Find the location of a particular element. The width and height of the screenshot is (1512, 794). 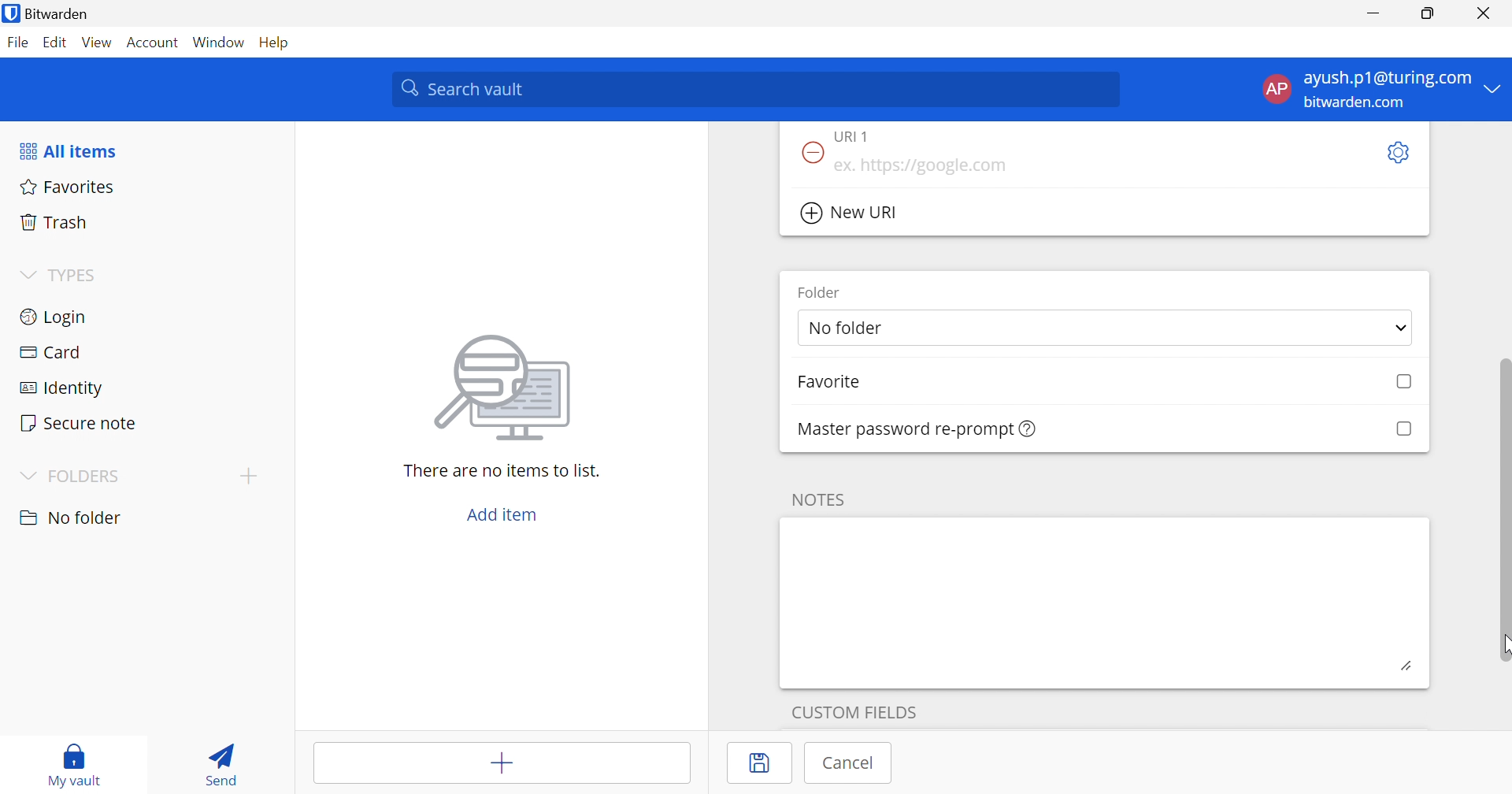

ayush.p1@turing.com is located at coordinates (1388, 79).